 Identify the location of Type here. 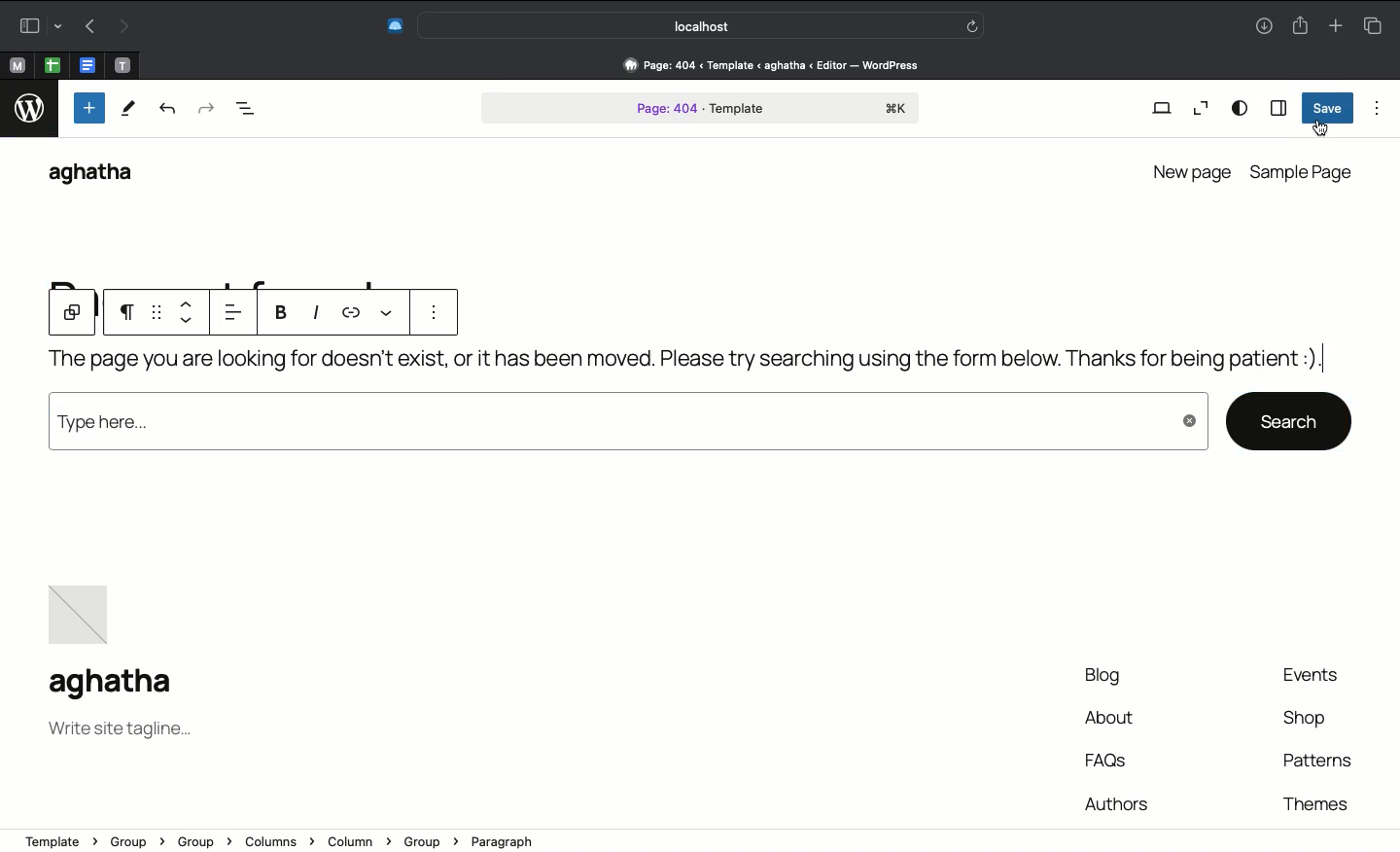
(625, 427).